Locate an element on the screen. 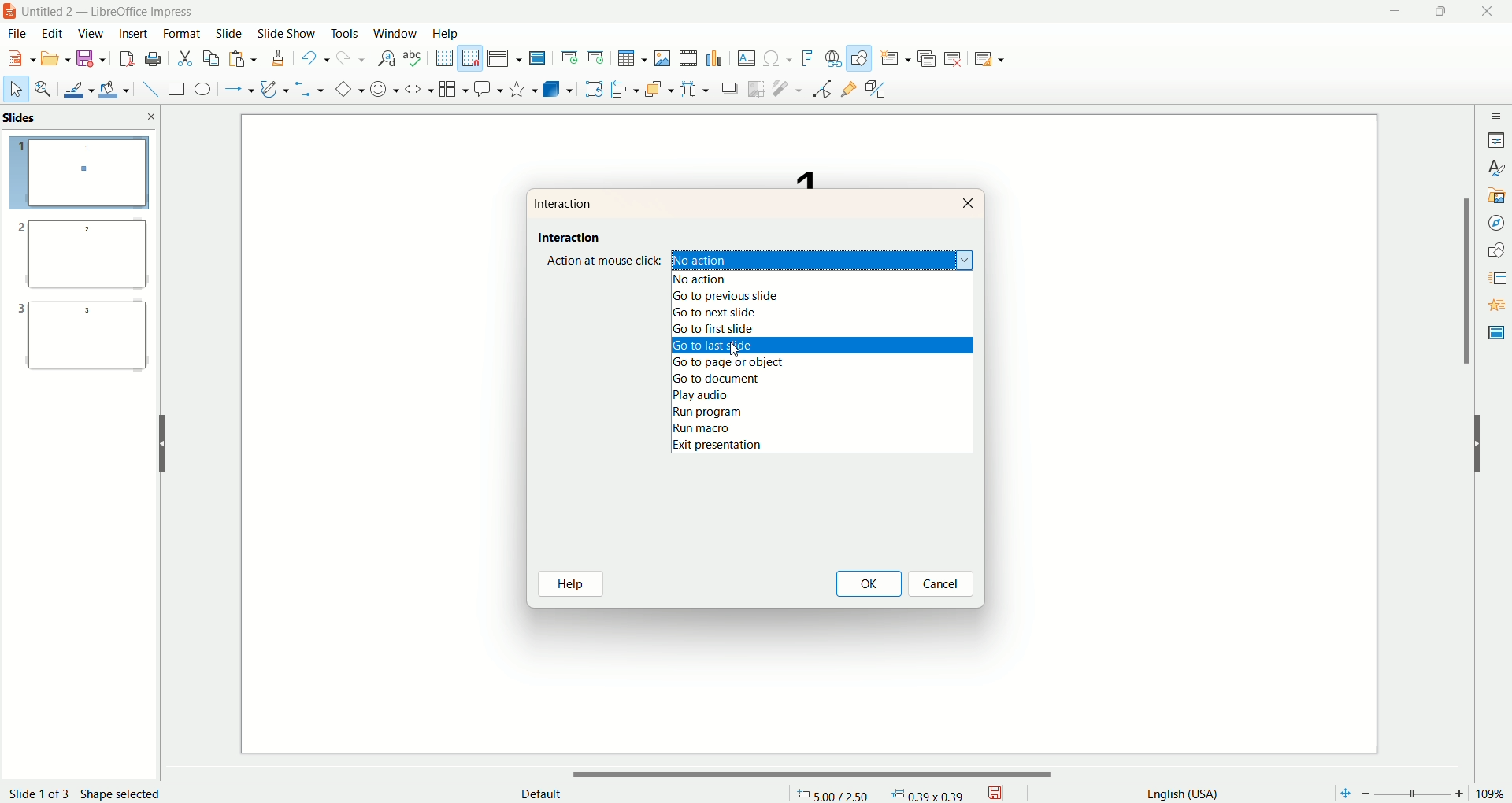 The image size is (1512, 803). close is located at coordinates (969, 202).